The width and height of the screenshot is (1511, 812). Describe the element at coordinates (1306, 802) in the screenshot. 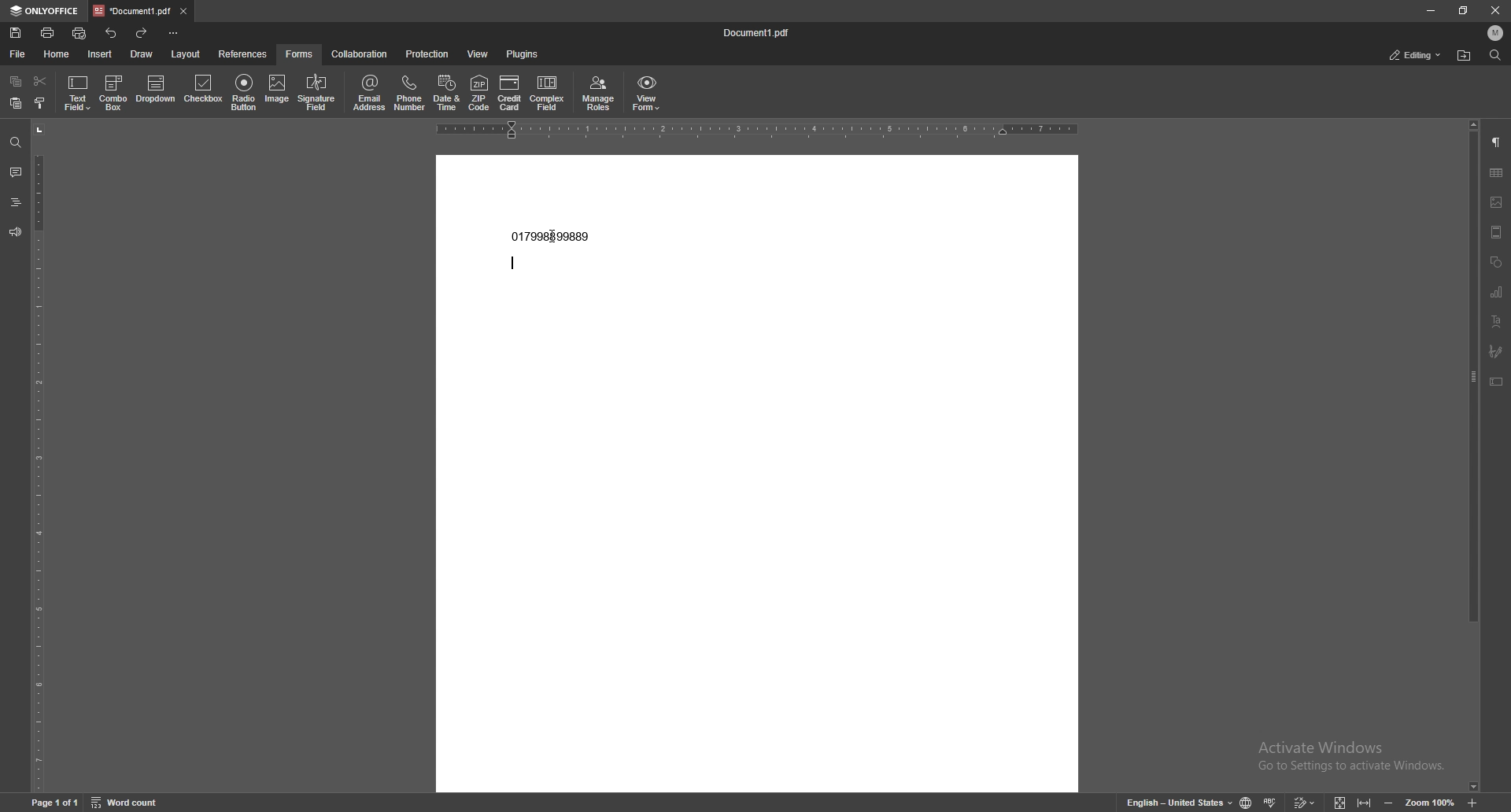

I see `track changes` at that location.